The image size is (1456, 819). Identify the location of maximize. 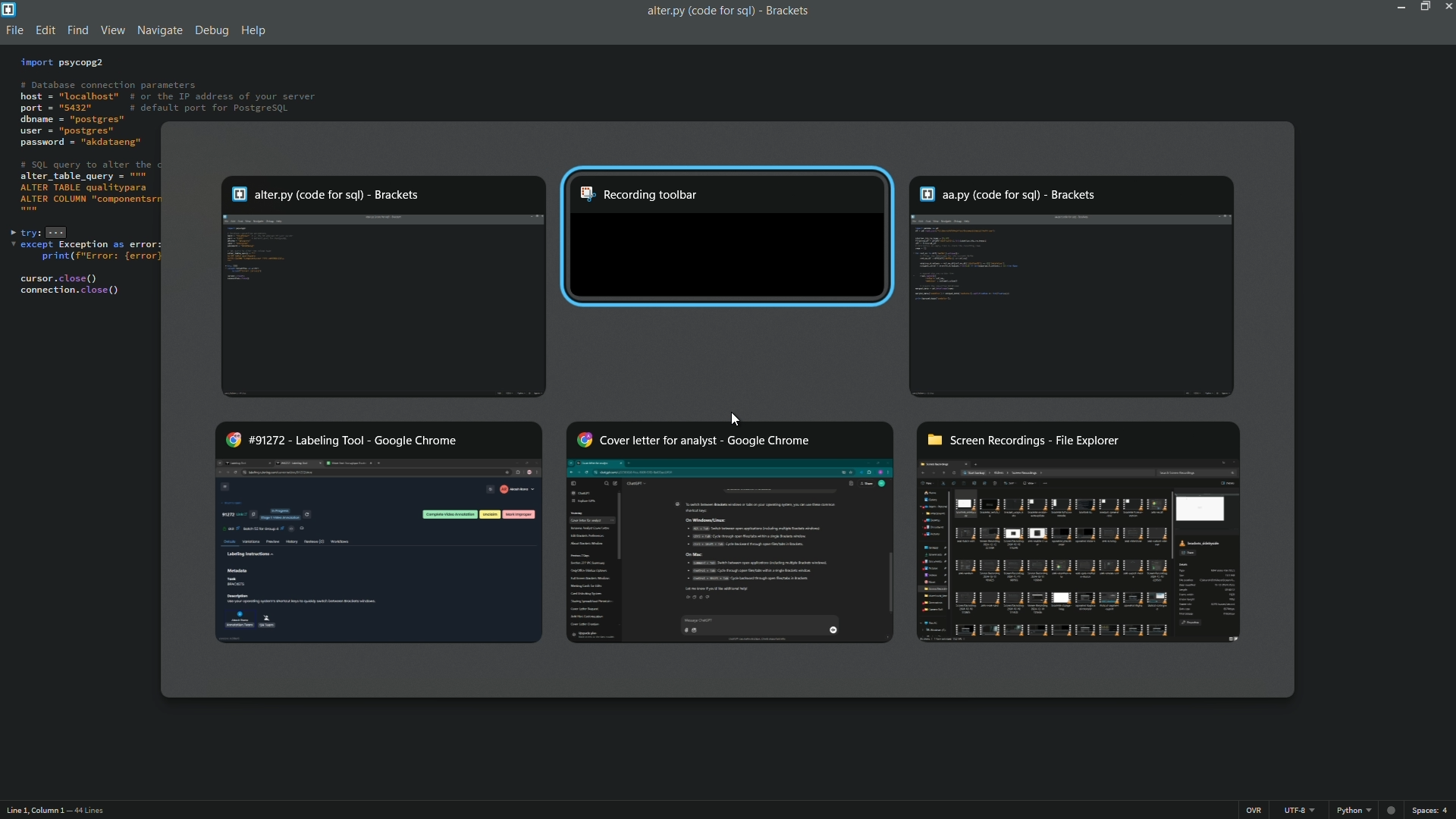
(1423, 7).